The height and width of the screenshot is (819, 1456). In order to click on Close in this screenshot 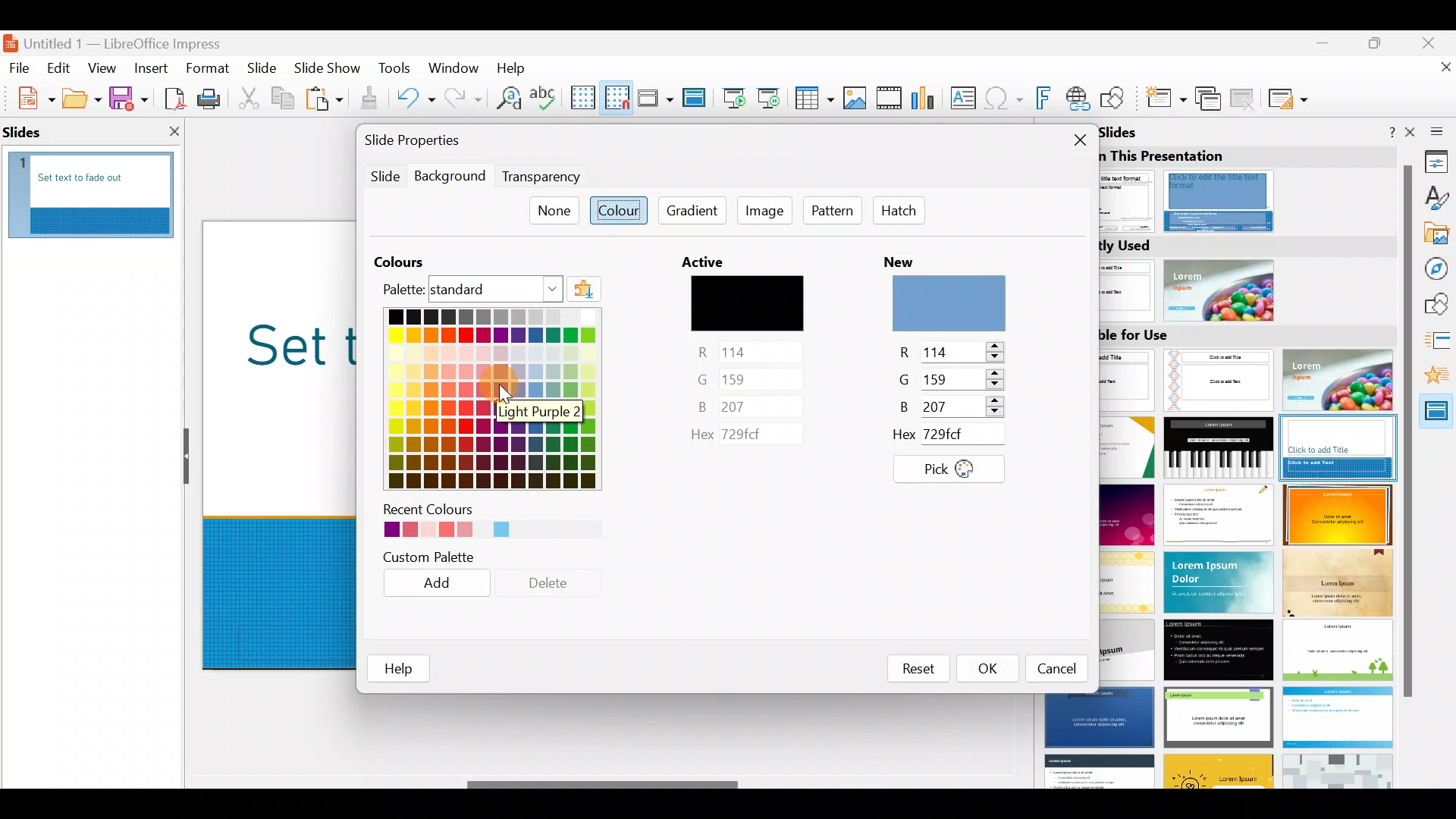, I will do `click(1075, 140)`.